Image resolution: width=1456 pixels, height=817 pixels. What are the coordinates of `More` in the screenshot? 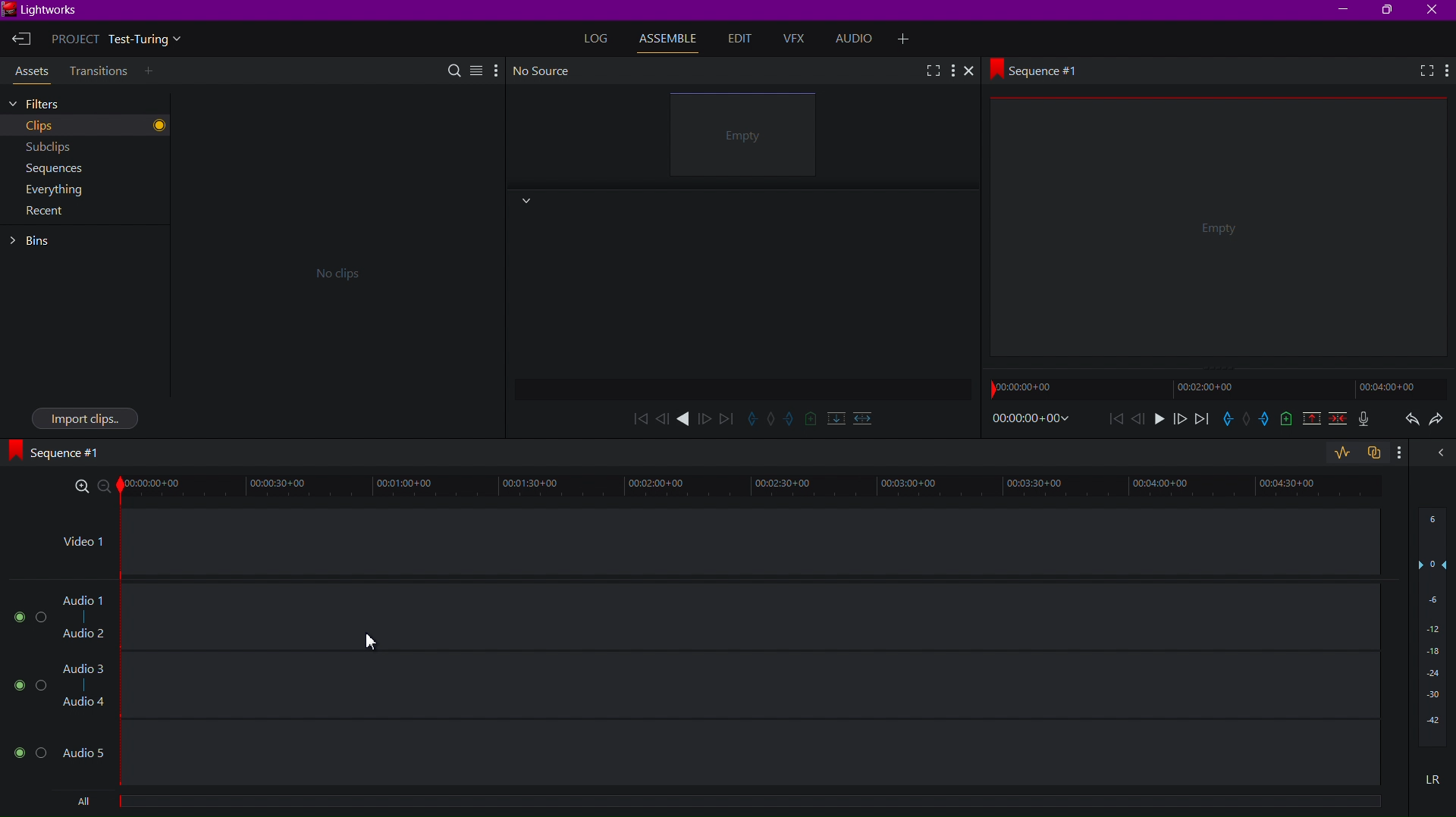 It's located at (1446, 71).